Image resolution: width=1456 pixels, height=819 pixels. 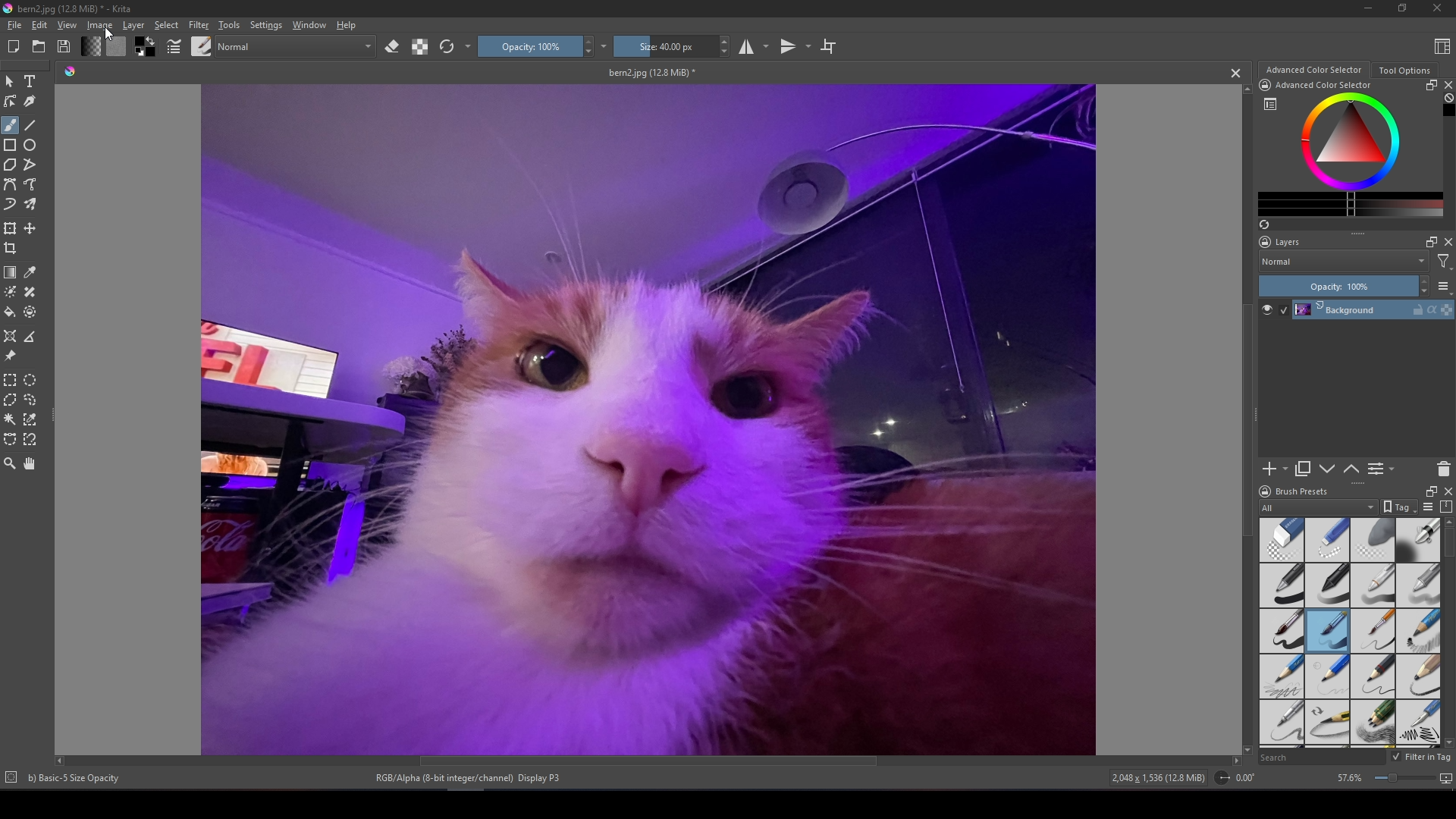 I want to click on cursor, so click(x=109, y=33).